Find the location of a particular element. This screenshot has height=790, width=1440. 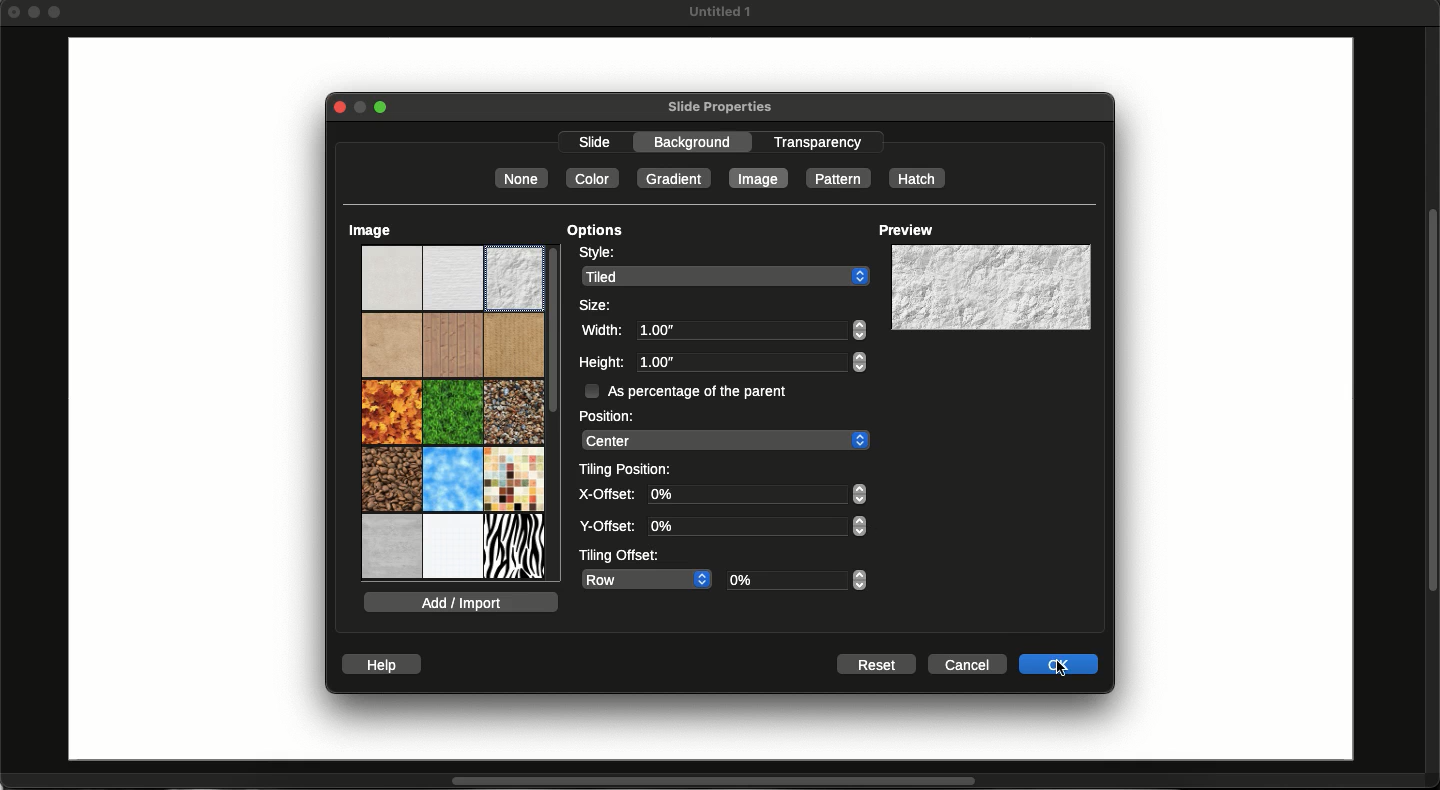

New background preview is located at coordinates (990, 288).